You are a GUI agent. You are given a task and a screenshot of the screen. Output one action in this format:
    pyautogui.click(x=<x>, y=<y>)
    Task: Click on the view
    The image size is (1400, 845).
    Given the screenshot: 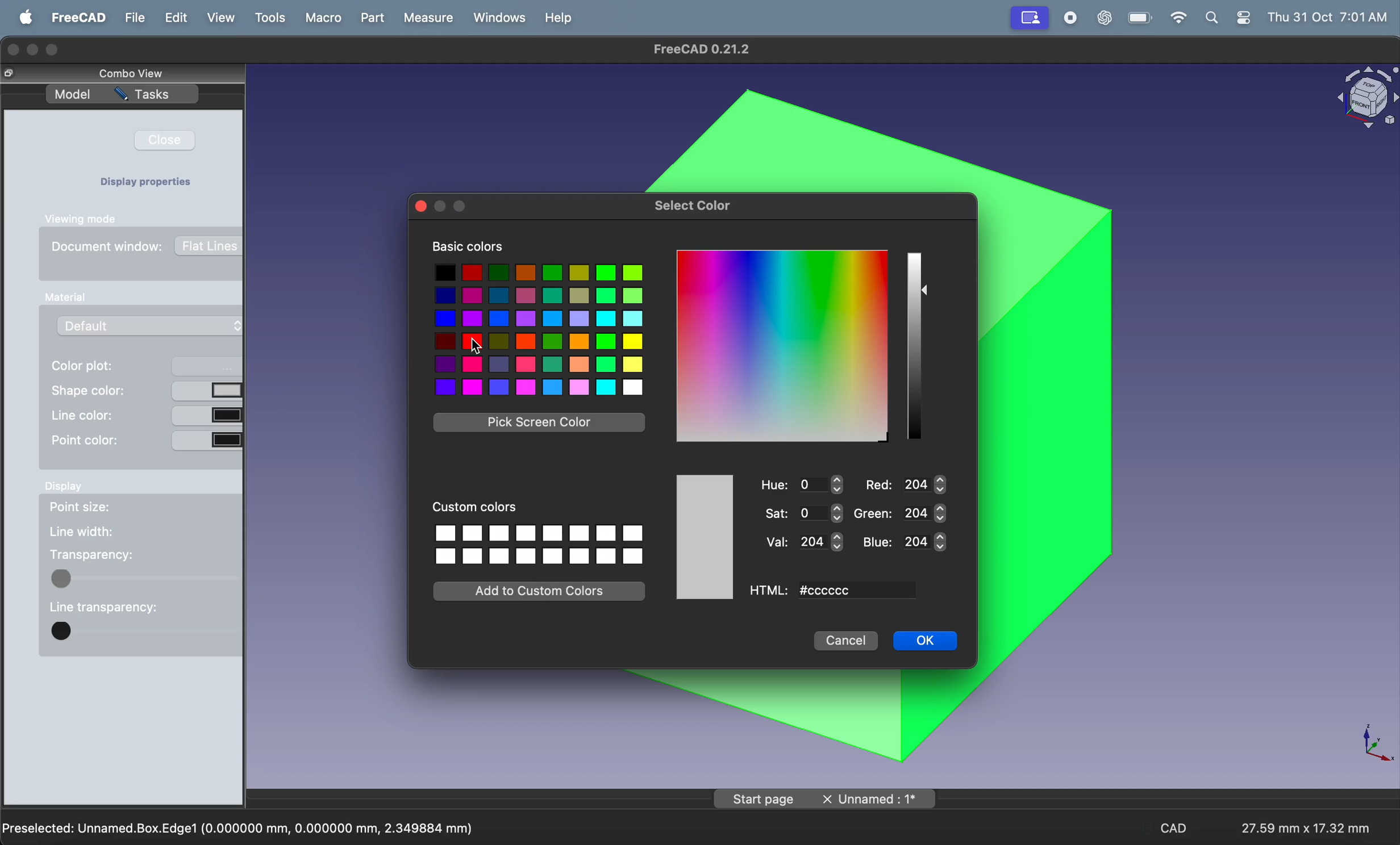 What is the action you would take?
    pyautogui.click(x=224, y=19)
    